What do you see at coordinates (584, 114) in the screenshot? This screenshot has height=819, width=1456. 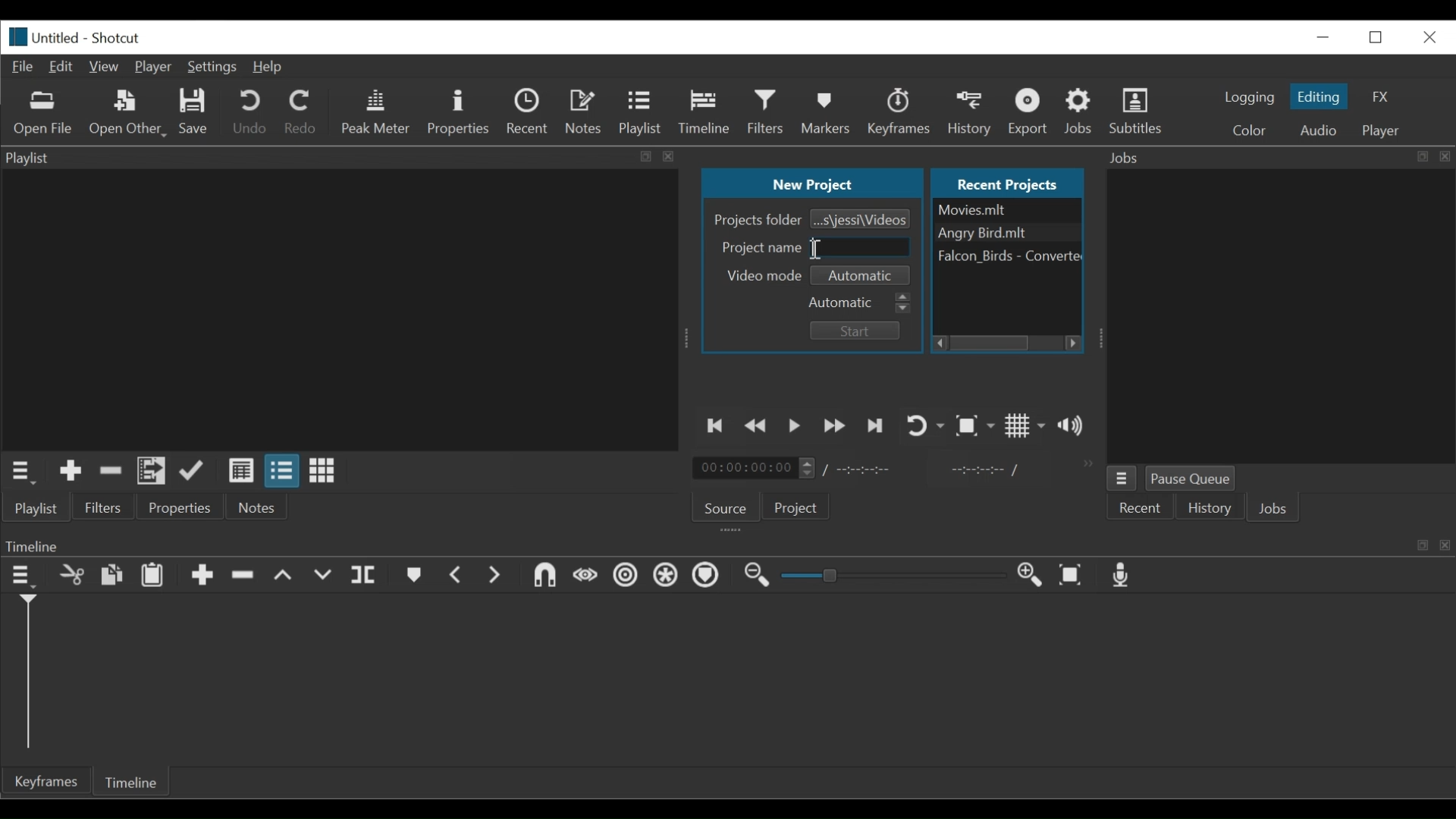 I see `Notes` at bounding box center [584, 114].